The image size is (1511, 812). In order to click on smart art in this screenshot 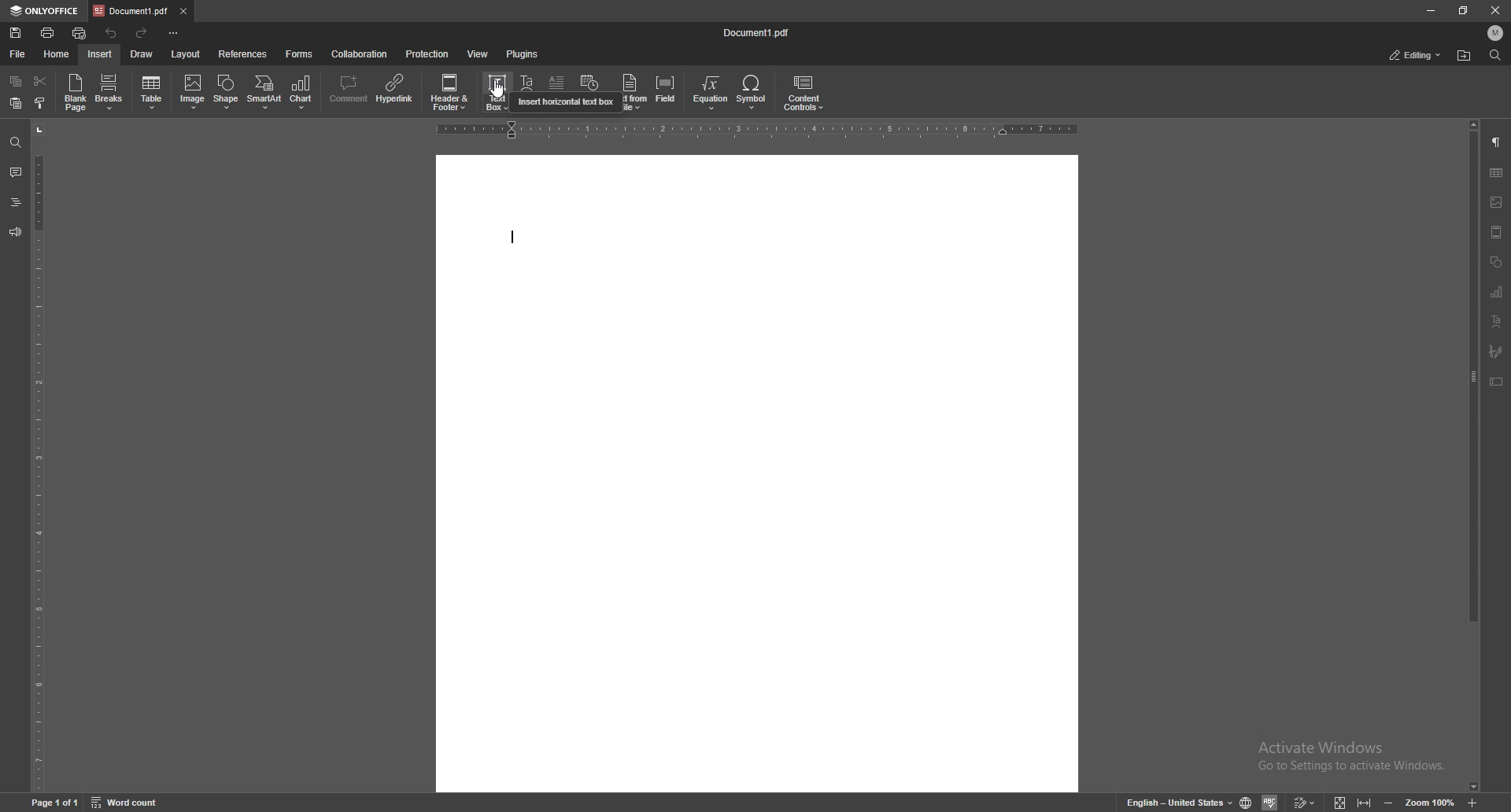, I will do `click(264, 92)`.